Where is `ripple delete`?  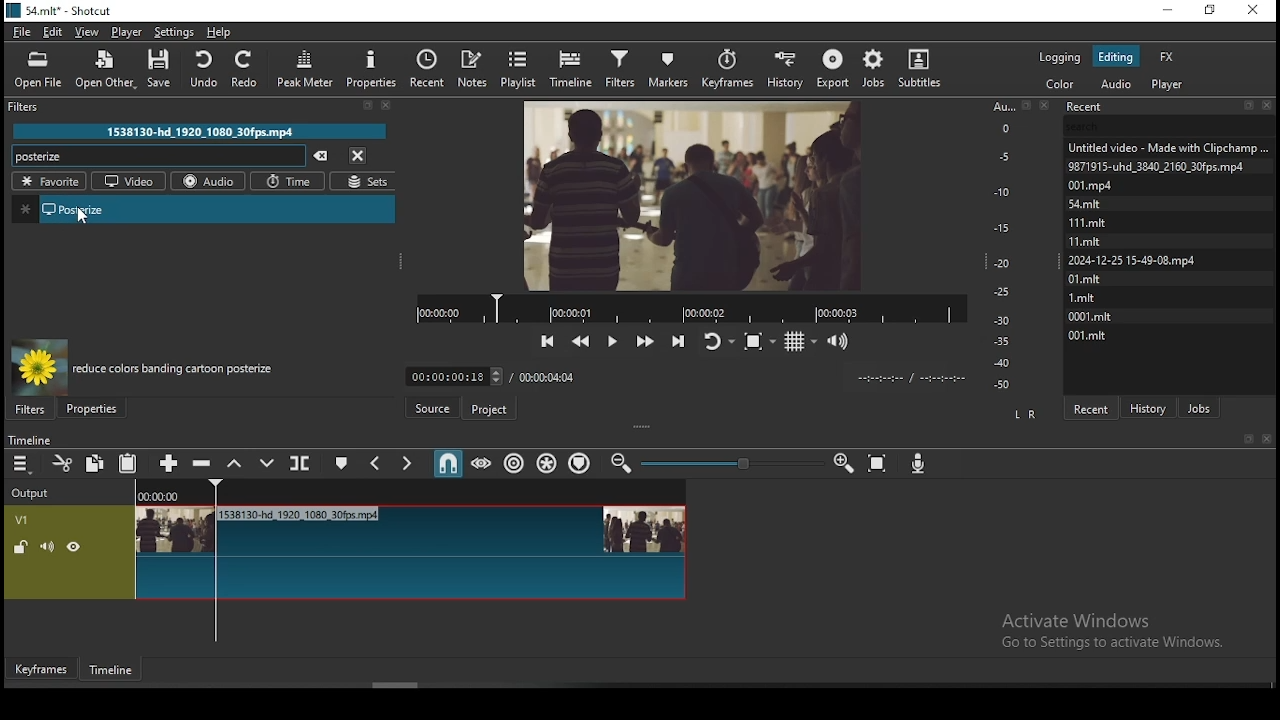
ripple delete is located at coordinates (205, 463).